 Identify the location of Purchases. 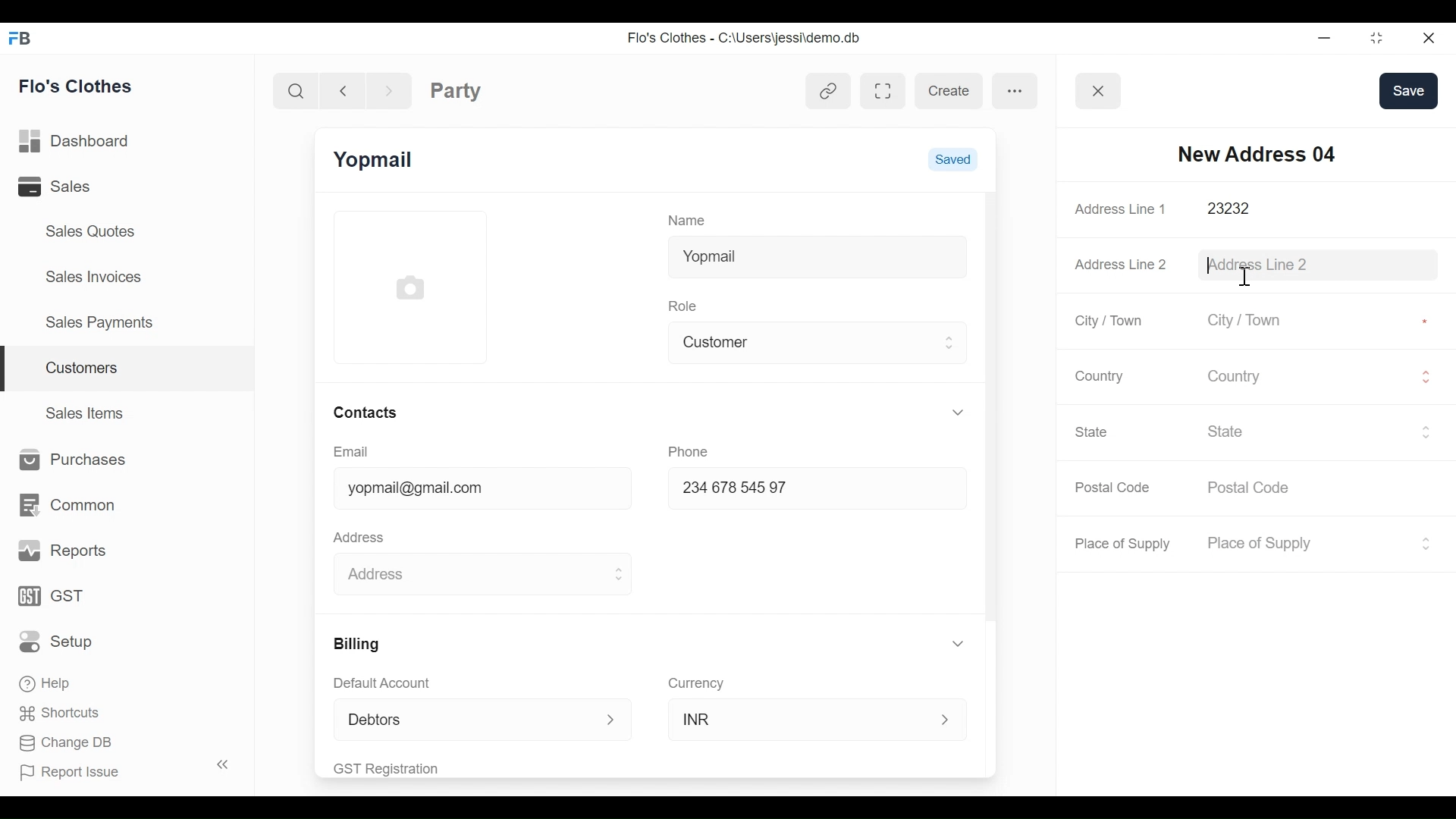
(68, 460).